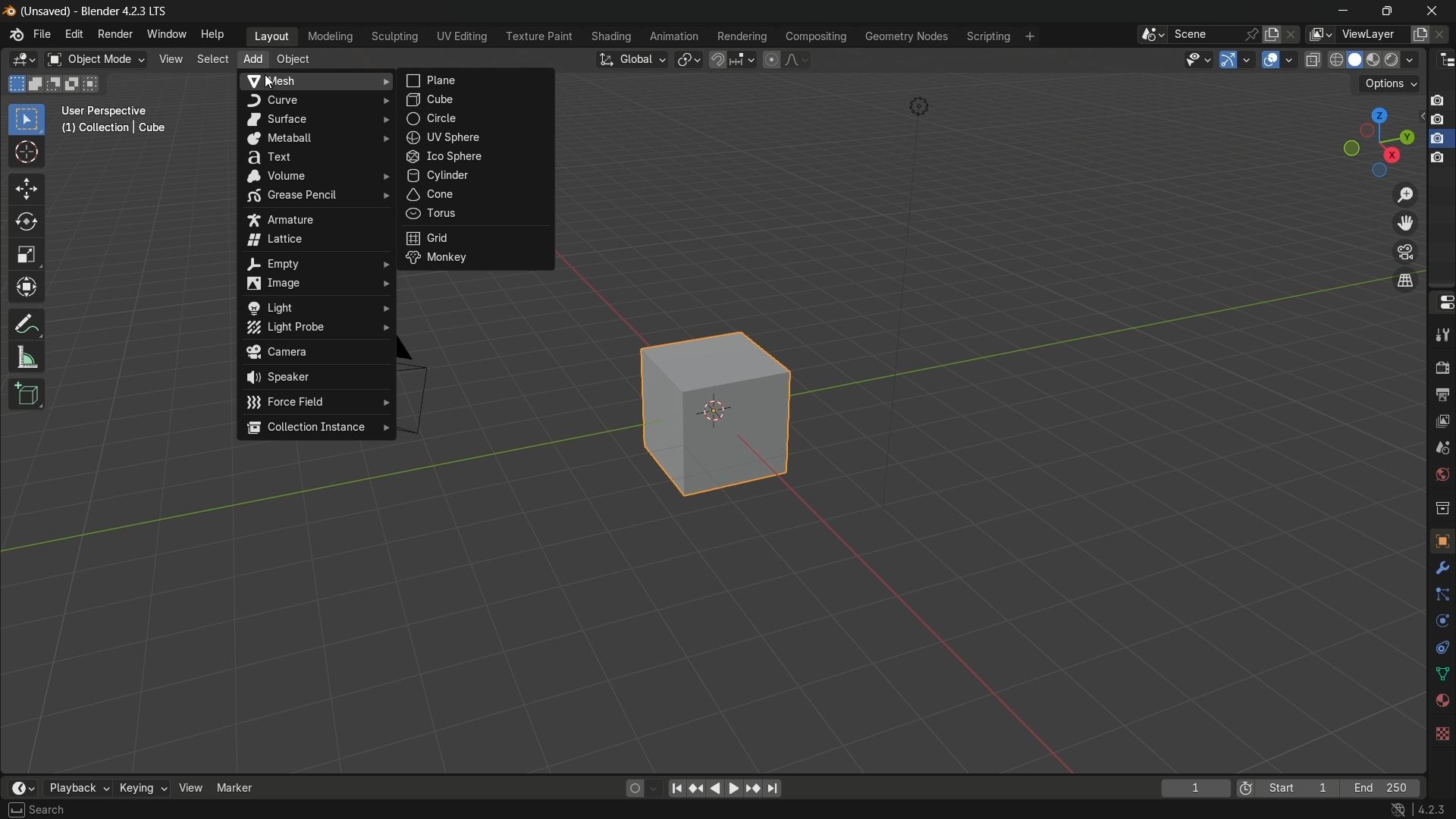  Describe the element at coordinates (1371, 34) in the screenshot. I see `viewLayer` at that location.